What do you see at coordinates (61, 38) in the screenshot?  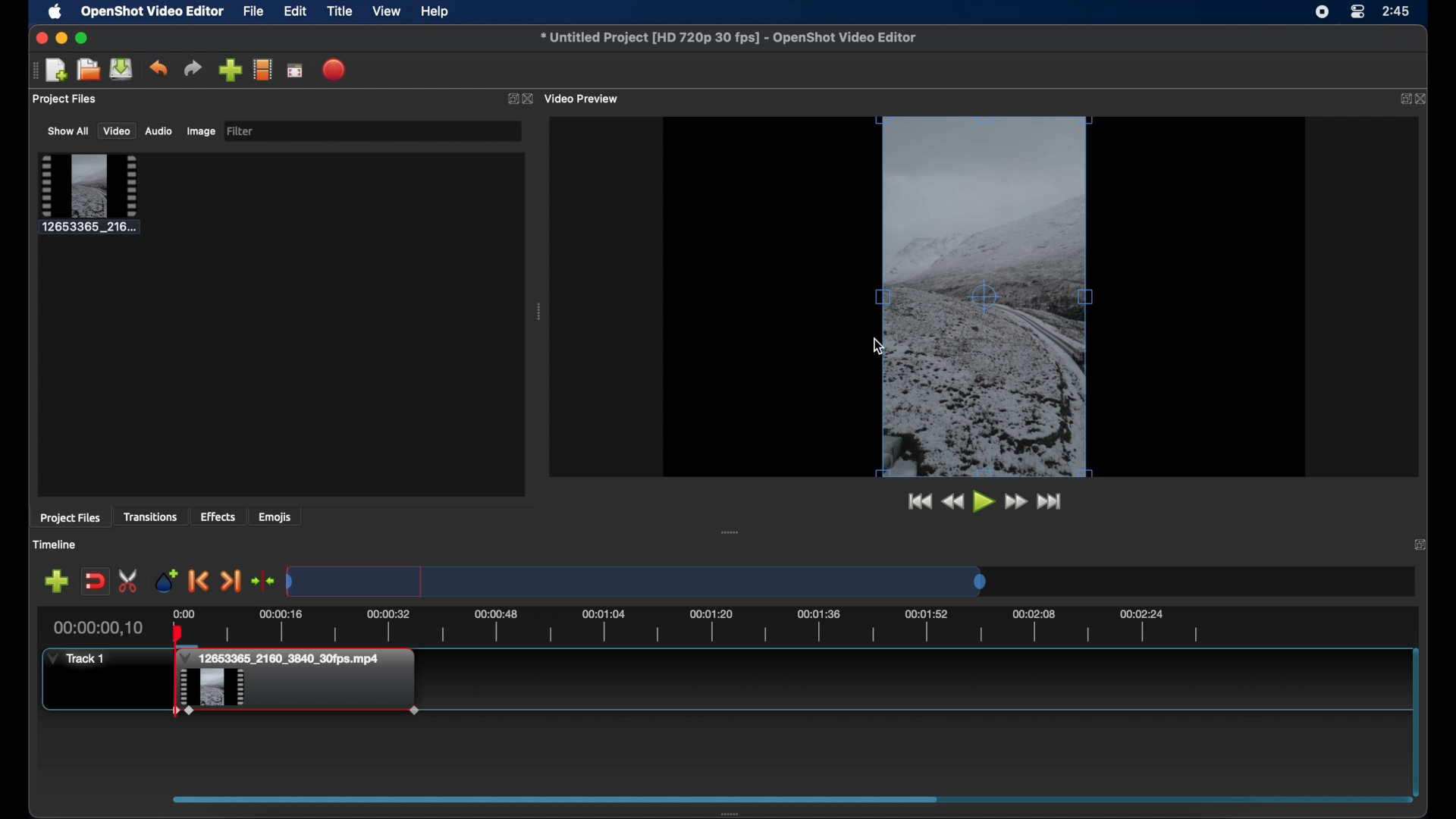 I see `minimize` at bounding box center [61, 38].